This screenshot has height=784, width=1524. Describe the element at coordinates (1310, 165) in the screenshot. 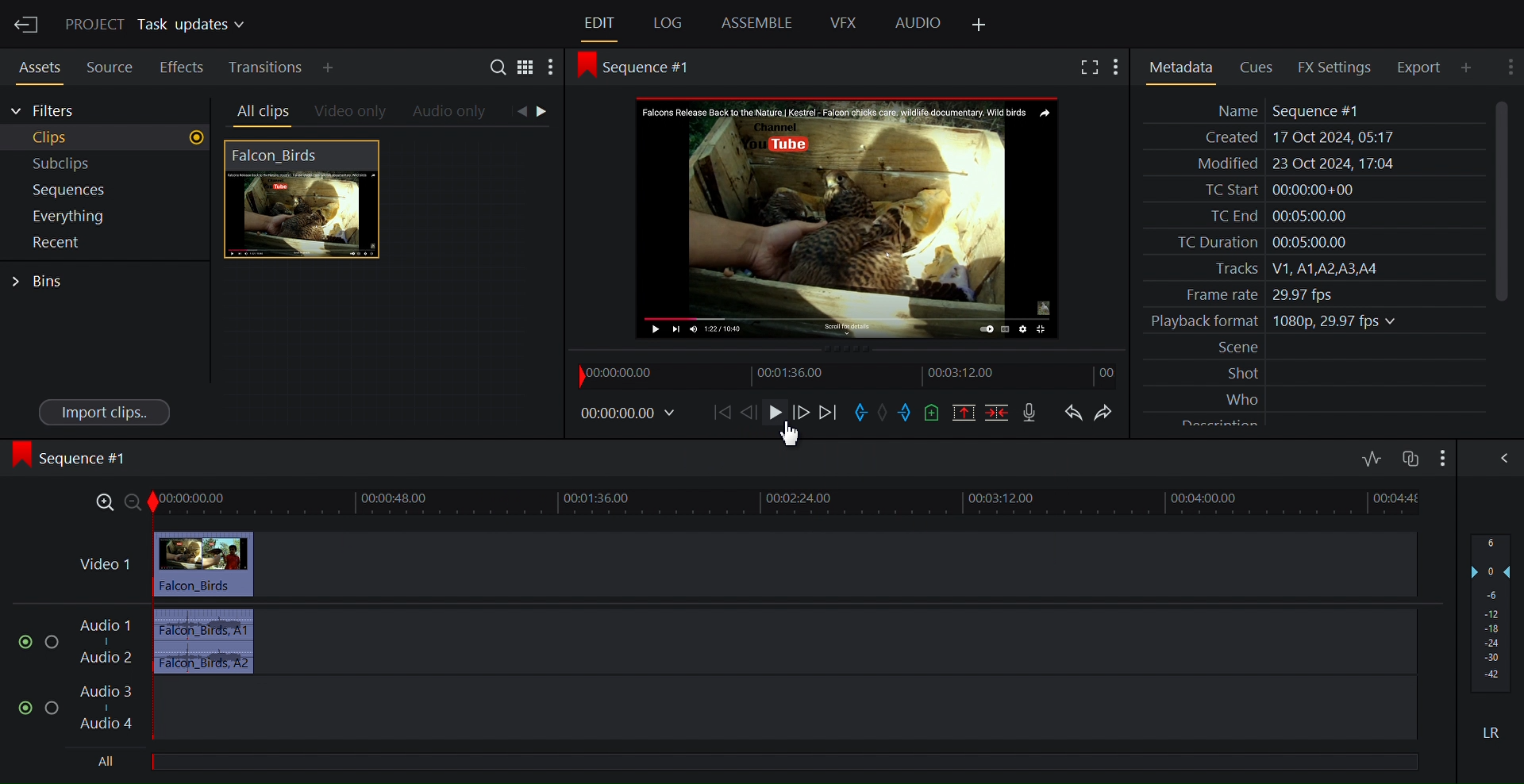

I see `Modified` at that location.